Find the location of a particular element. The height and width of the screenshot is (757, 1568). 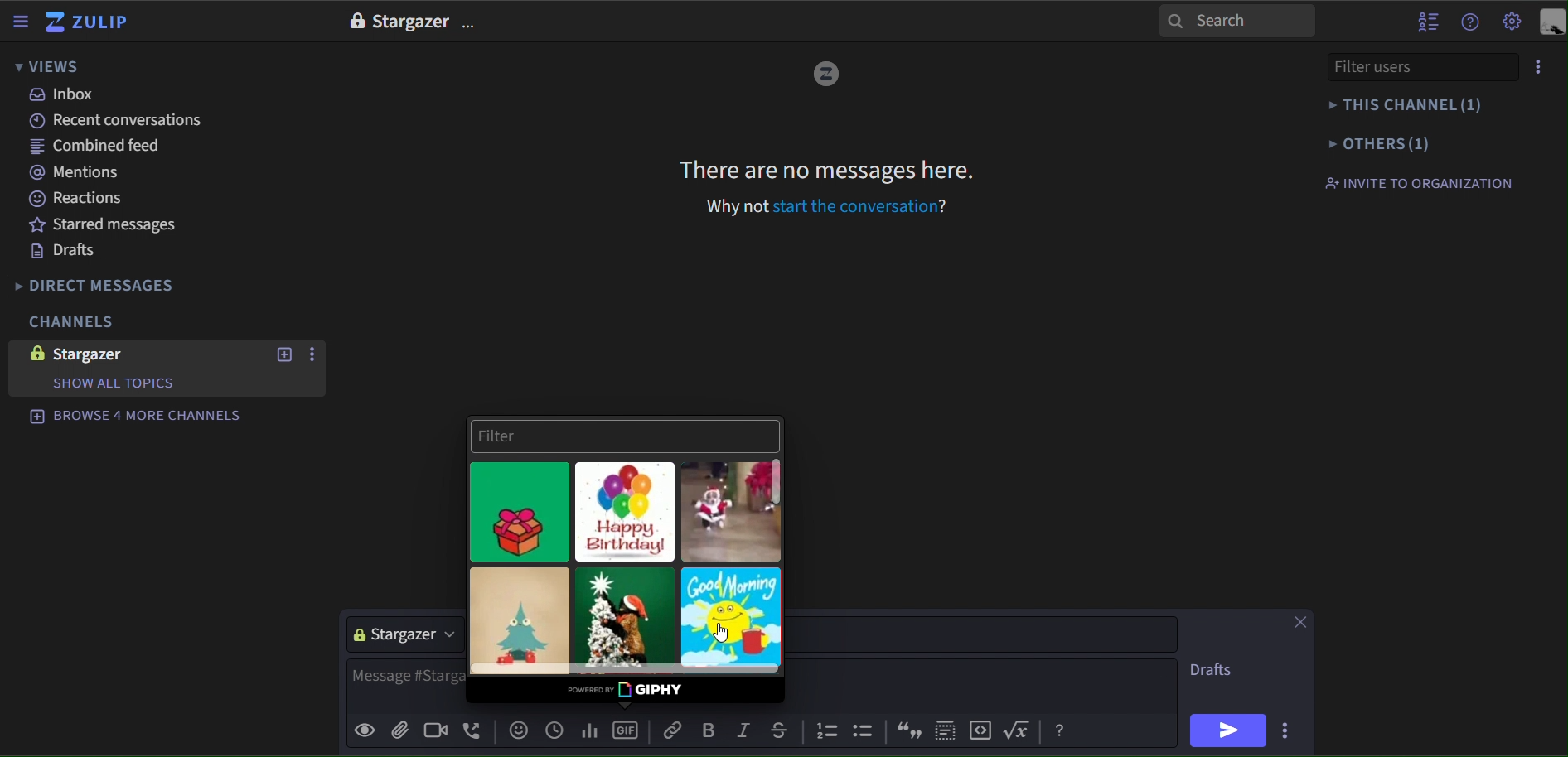

frequency is located at coordinates (588, 728).